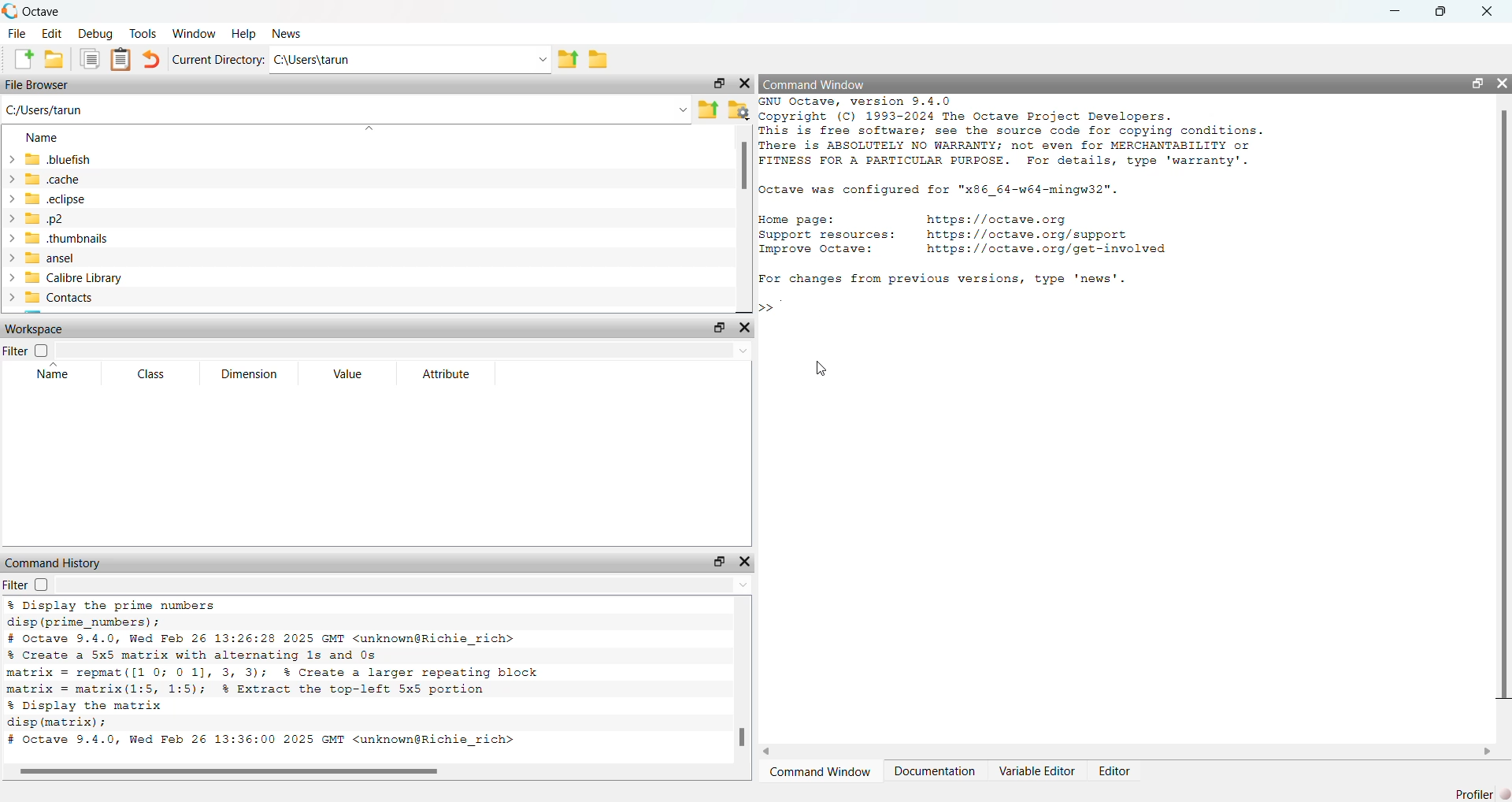 The height and width of the screenshot is (802, 1512). I want to click on enter the path or filename, so click(345, 109).